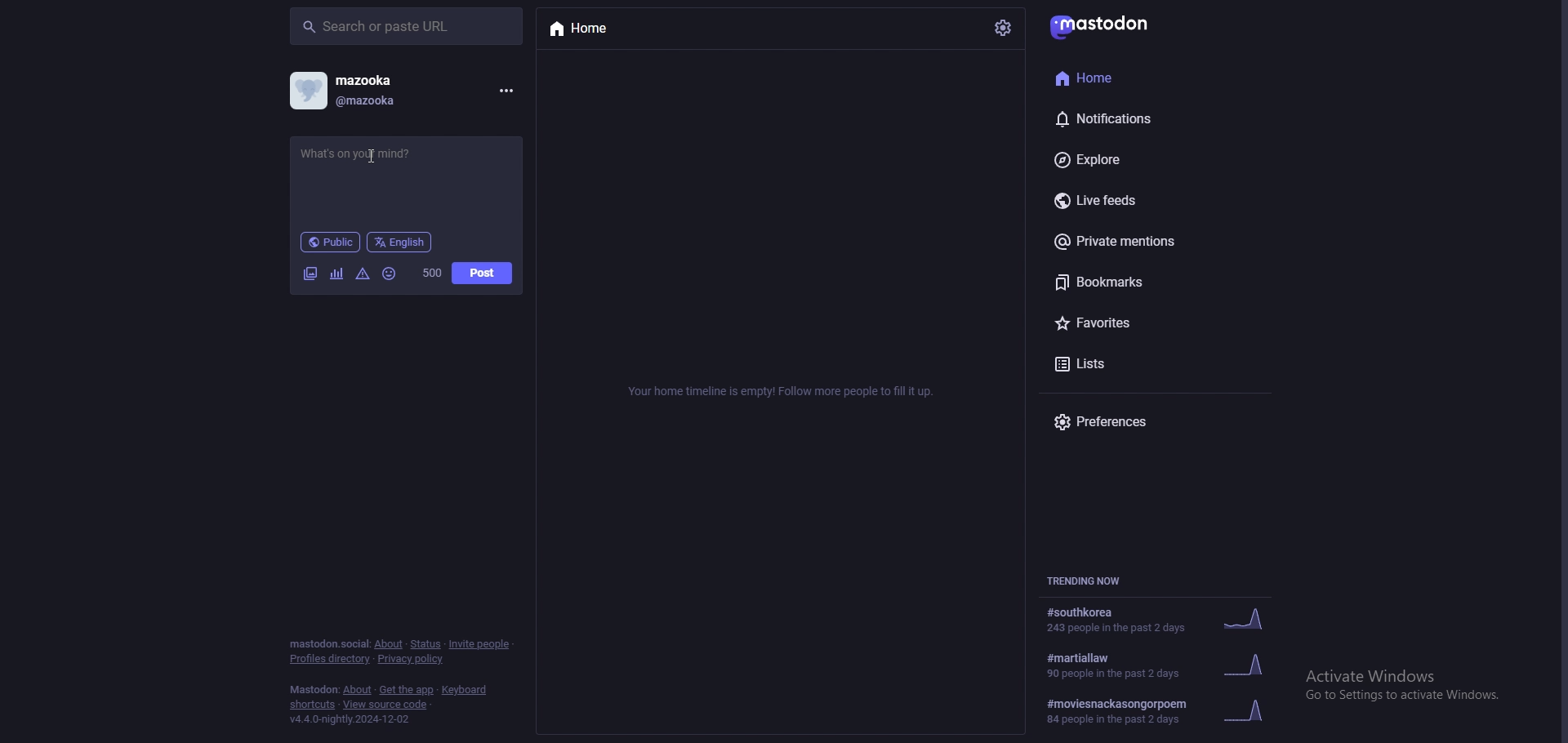 This screenshot has width=1568, height=743. Describe the element at coordinates (1134, 242) in the screenshot. I see `private mentions` at that location.